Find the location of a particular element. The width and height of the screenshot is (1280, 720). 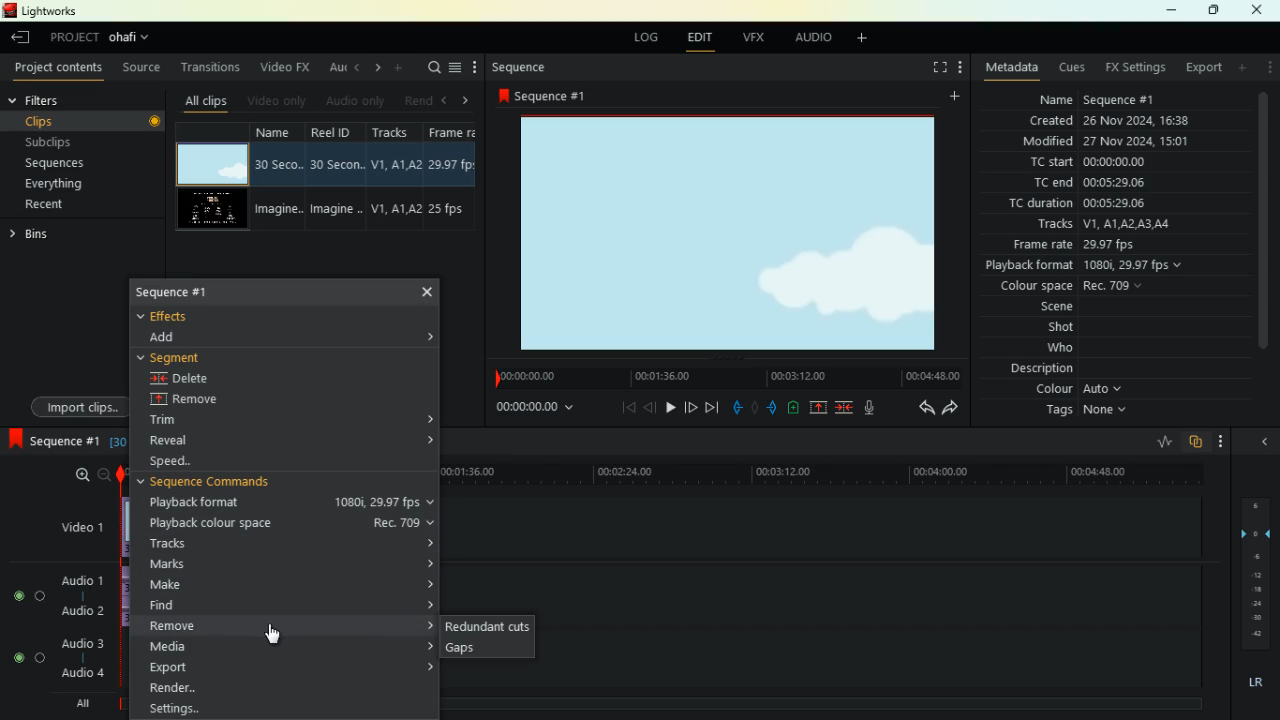

mic is located at coordinates (868, 408).